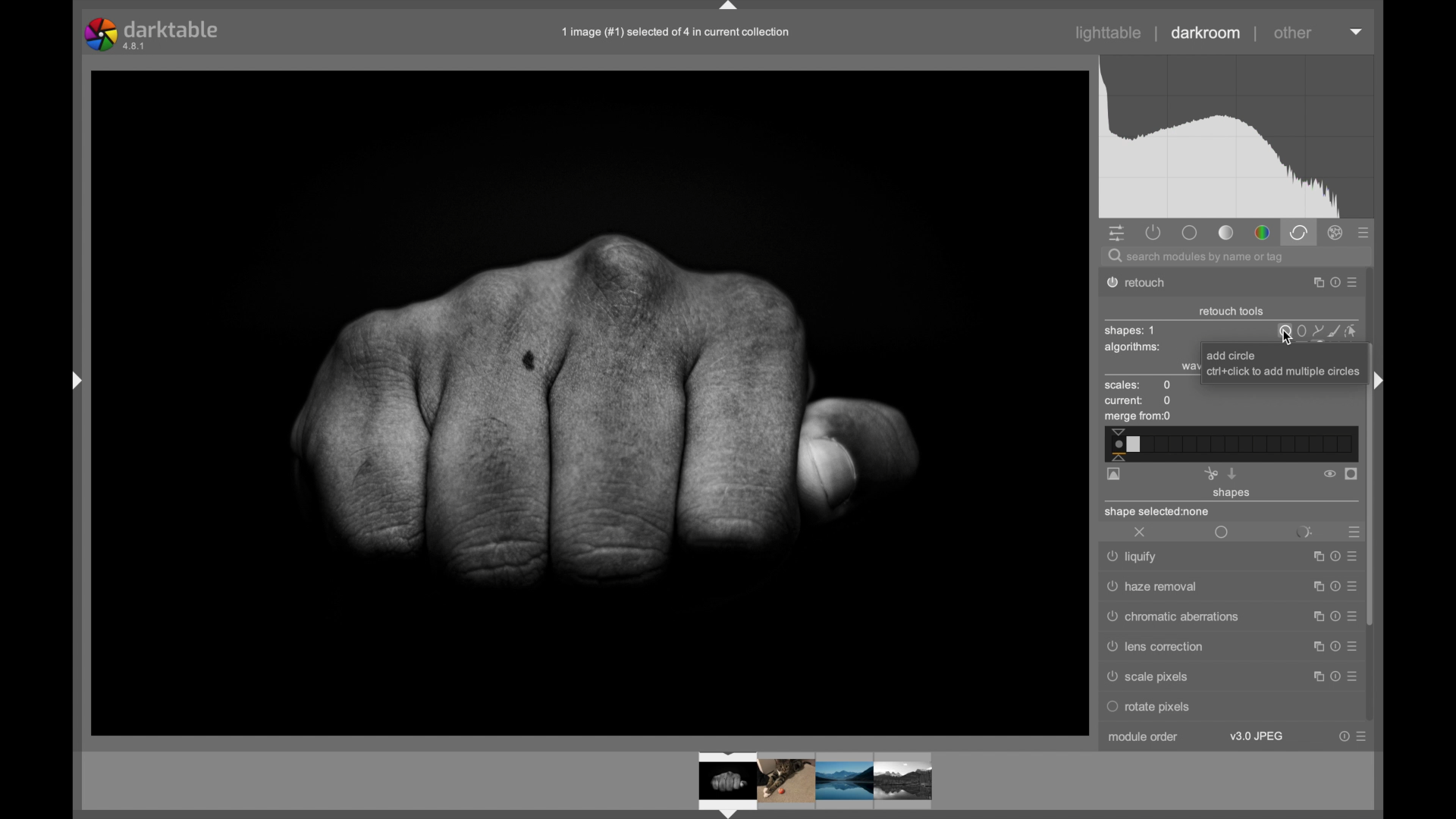 Image resolution: width=1456 pixels, height=819 pixels. What do you see at coordinates (1352, 475) in the screenshot?
I see `display mask` at bounding box center [1352, 475].